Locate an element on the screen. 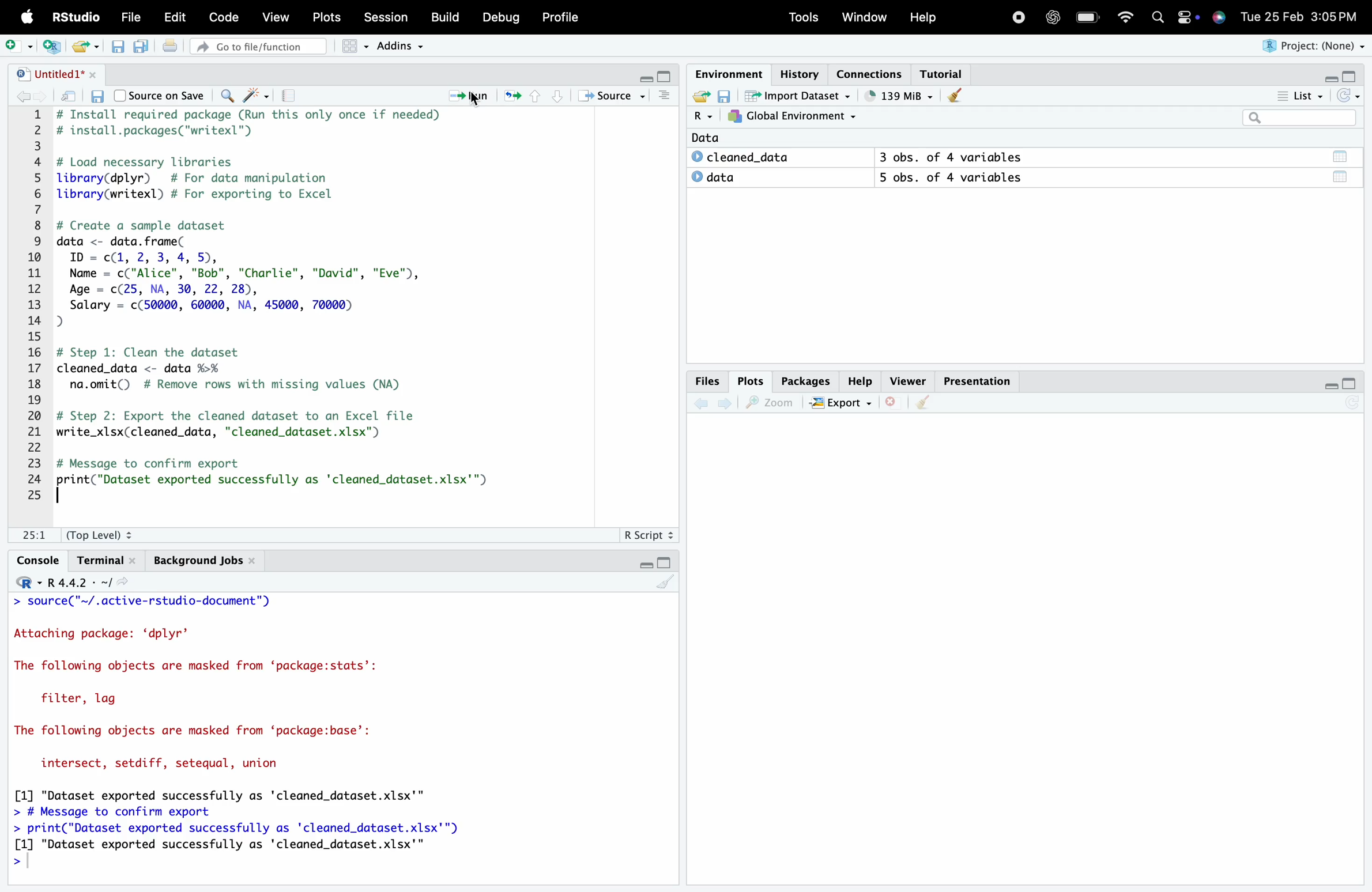 The width and height of the screenshot is (1372, 892). RStudio is located at coordinates (76, 16).